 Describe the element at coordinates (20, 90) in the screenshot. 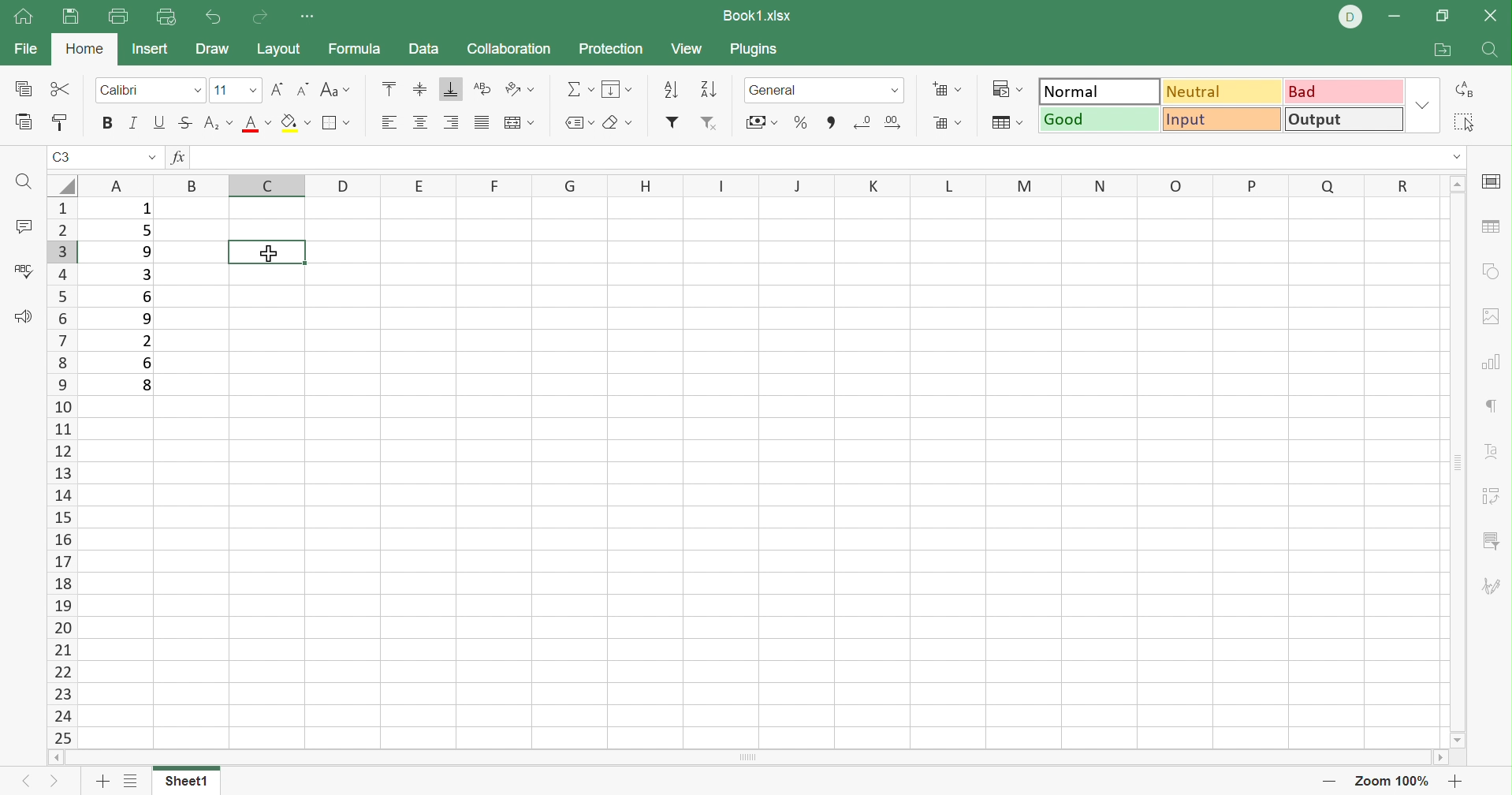

I see `Copy` at that location.